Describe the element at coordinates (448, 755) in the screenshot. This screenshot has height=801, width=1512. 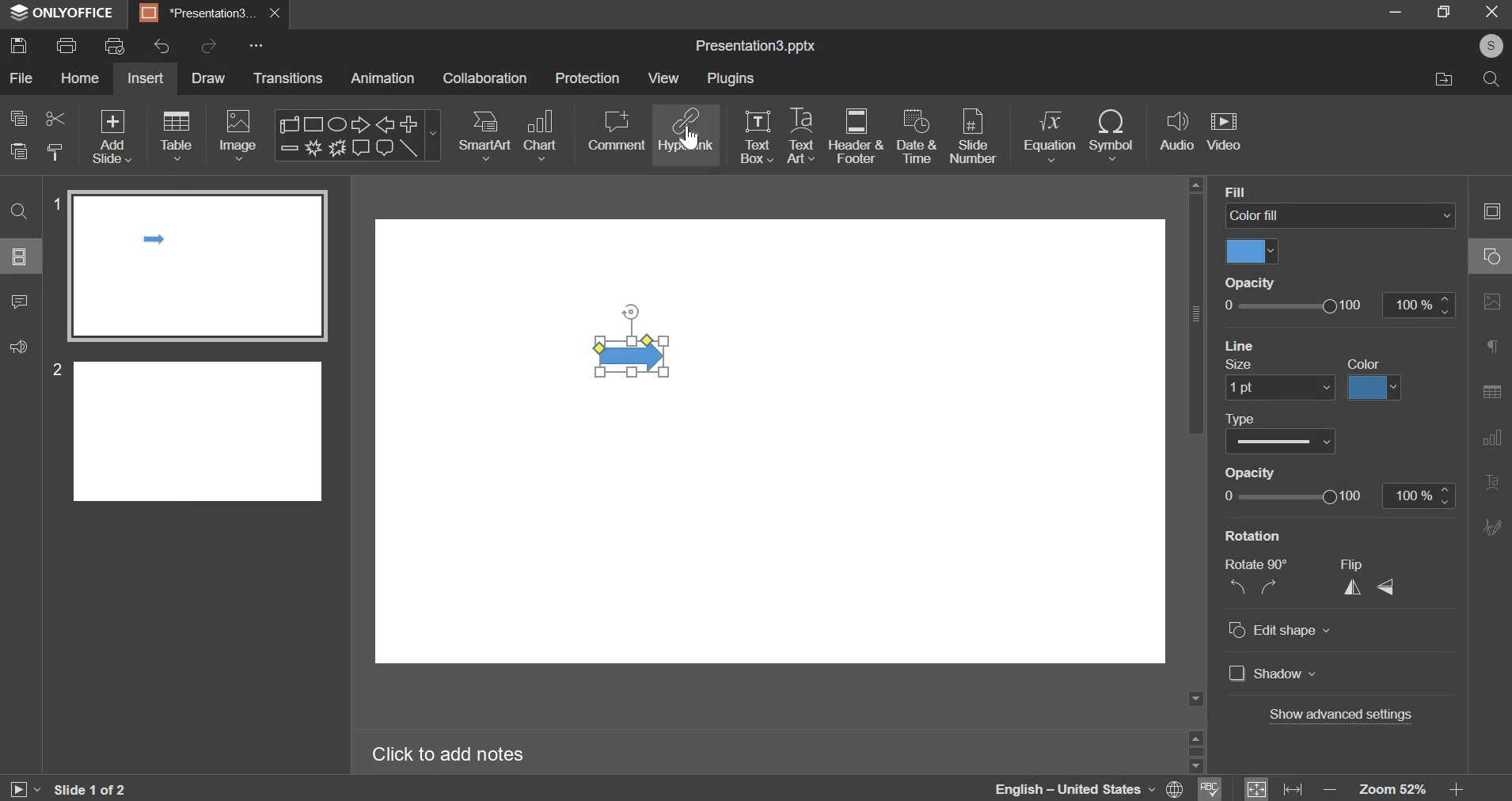
I see `click here to add notes` at that location.